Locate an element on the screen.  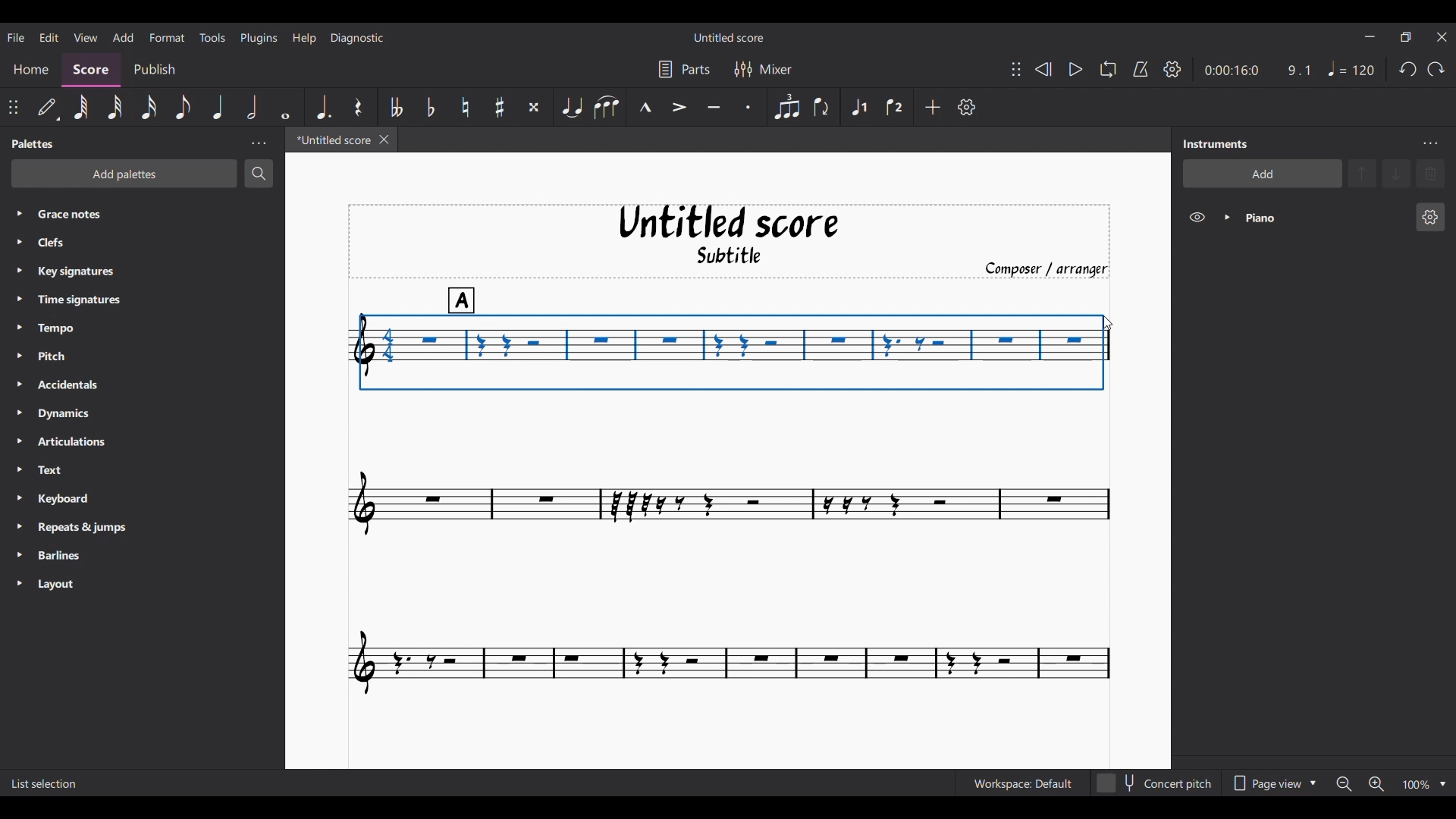
Change position of toolbar attached is located at coordinates (12, 106).